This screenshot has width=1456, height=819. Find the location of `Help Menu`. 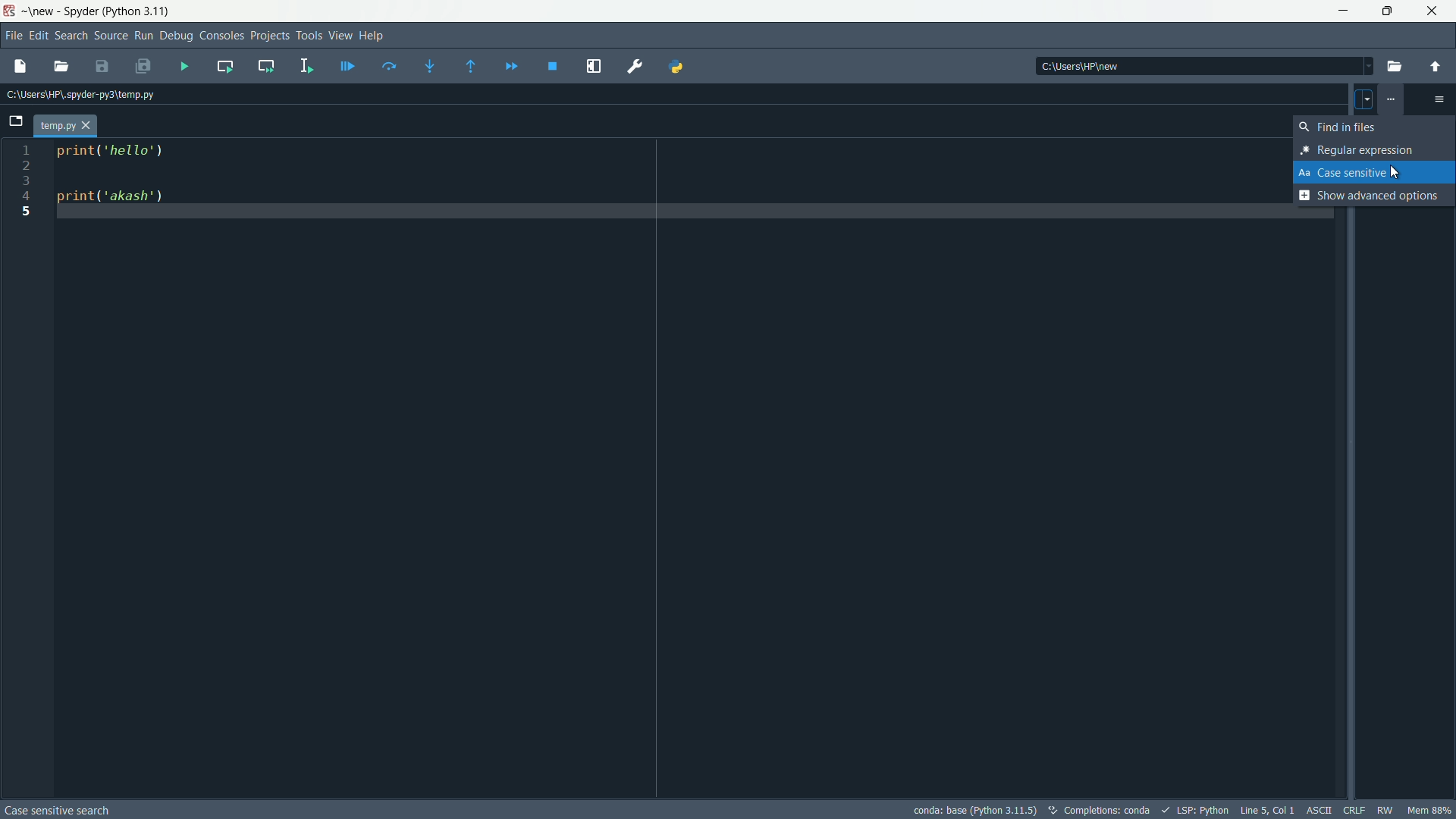

Help Menu is located at coordinates (372, 35).